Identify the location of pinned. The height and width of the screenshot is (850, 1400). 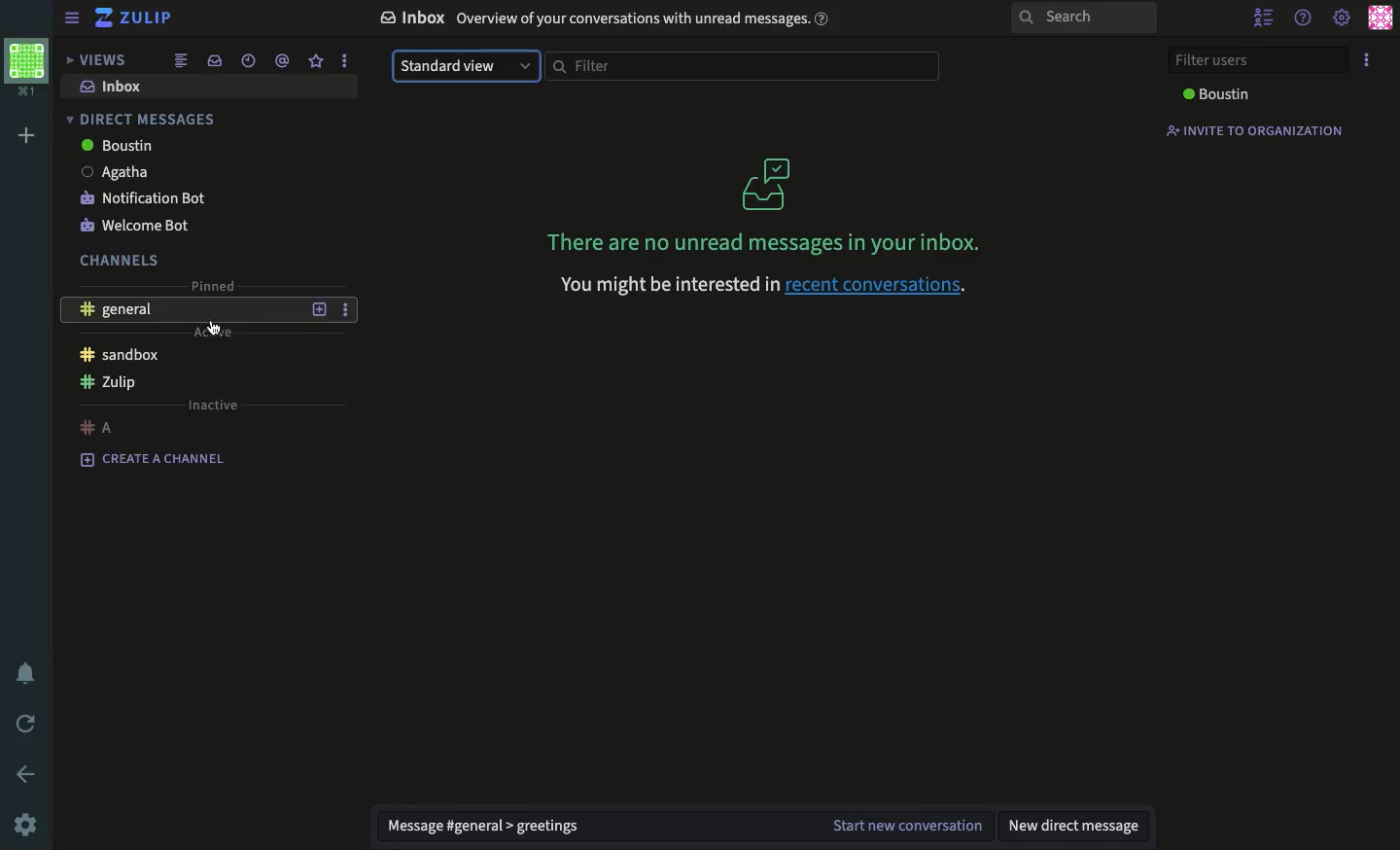
(214, 285).